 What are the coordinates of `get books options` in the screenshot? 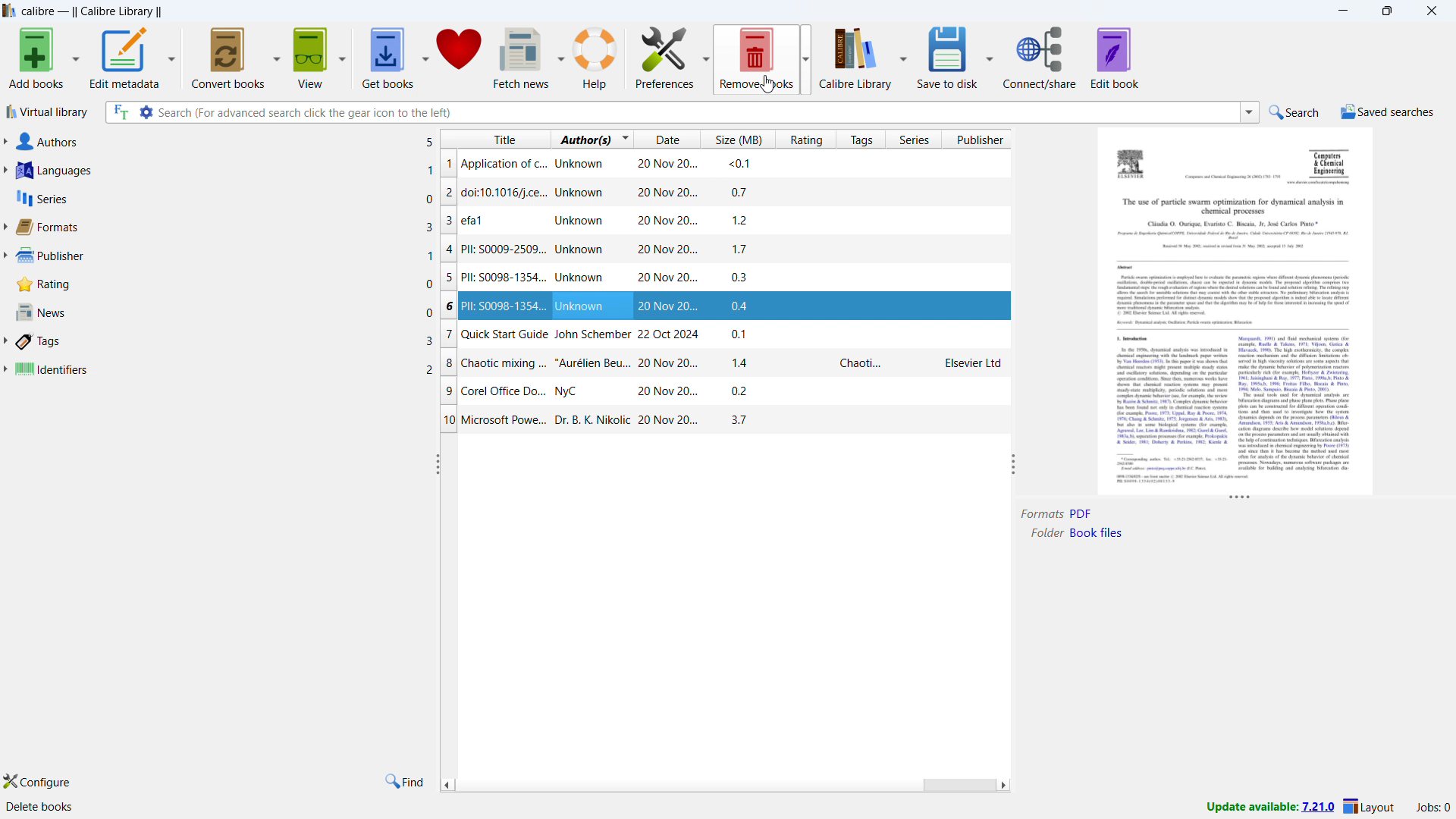 It's located at (424, 56).